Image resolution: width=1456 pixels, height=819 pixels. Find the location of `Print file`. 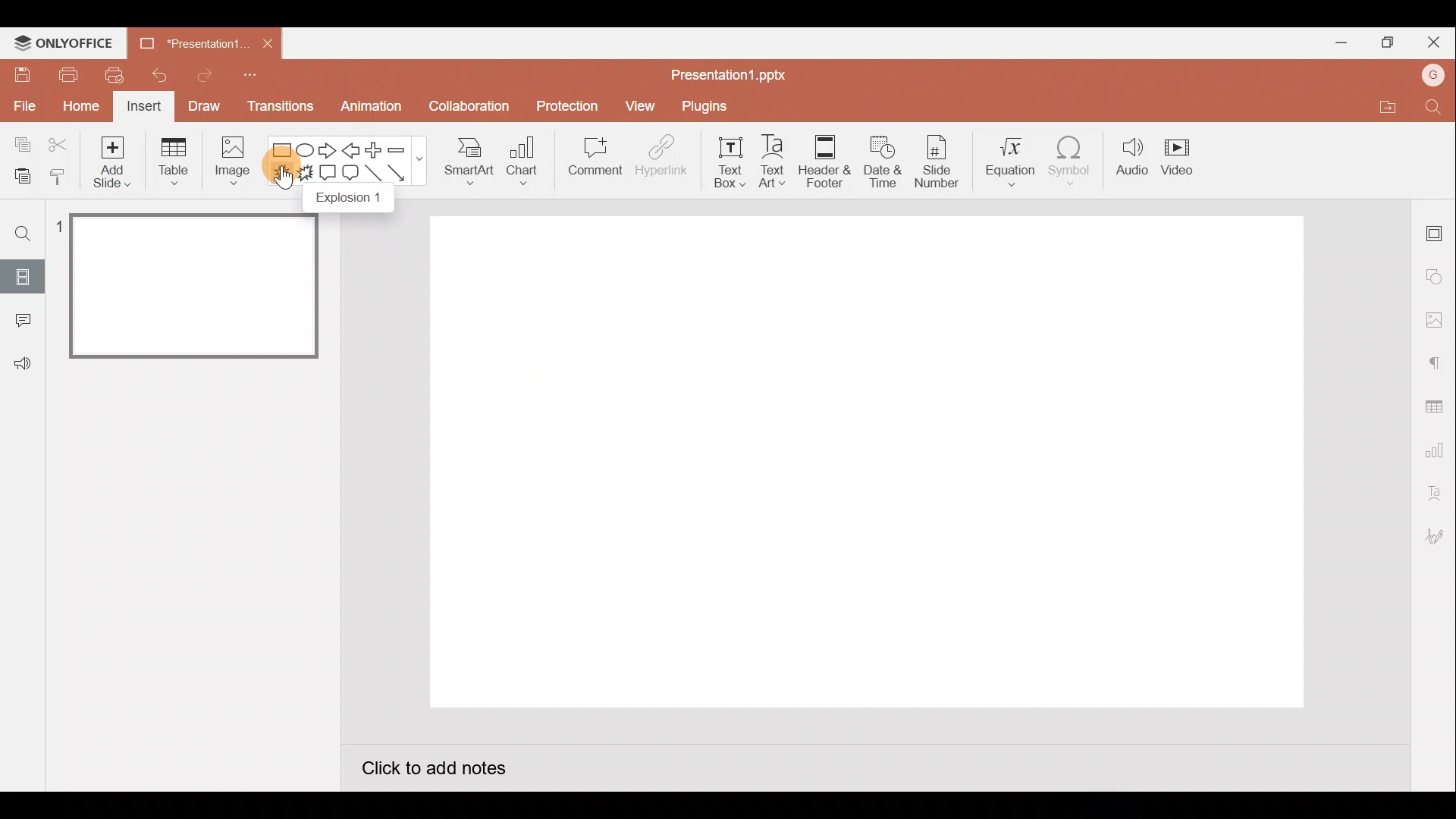

Print file is located at coordinates (67, 75).